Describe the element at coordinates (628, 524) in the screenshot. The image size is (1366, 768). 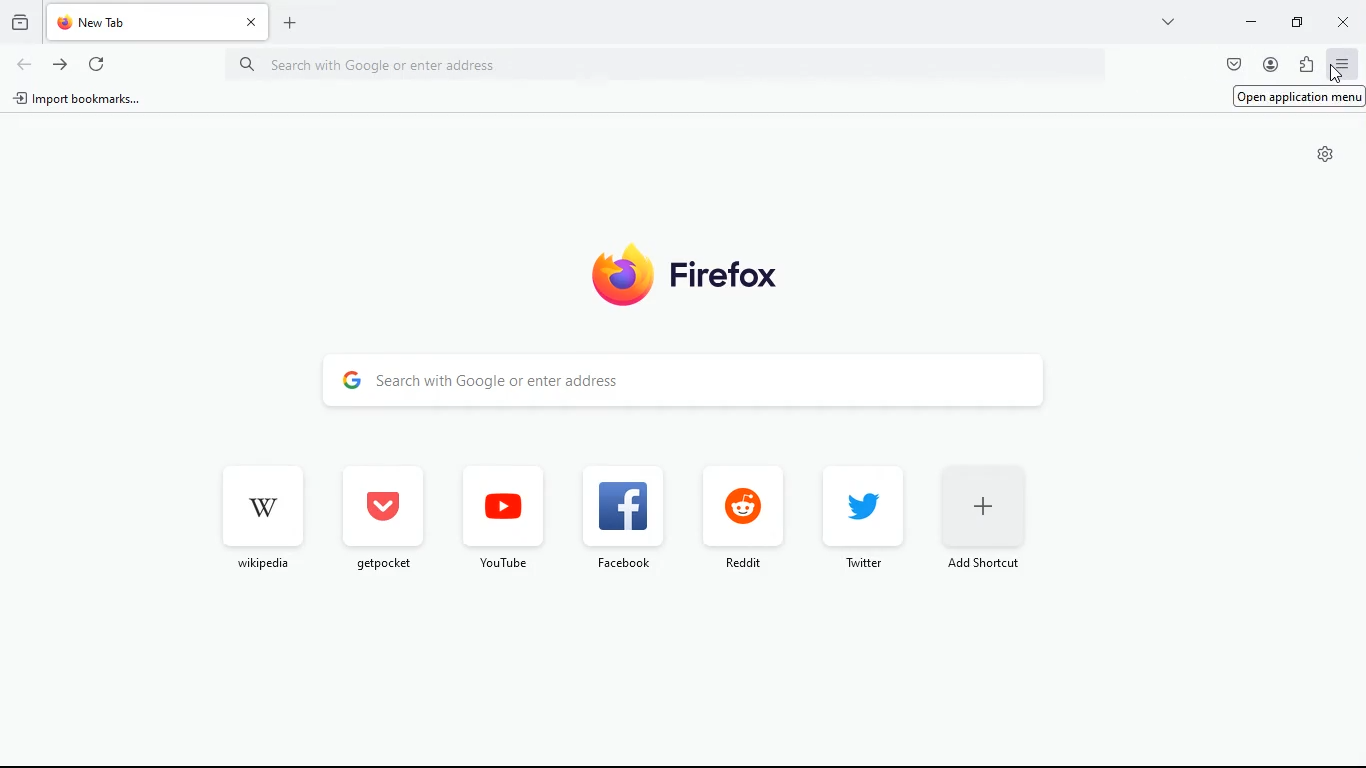
I see `facebook` at that location.